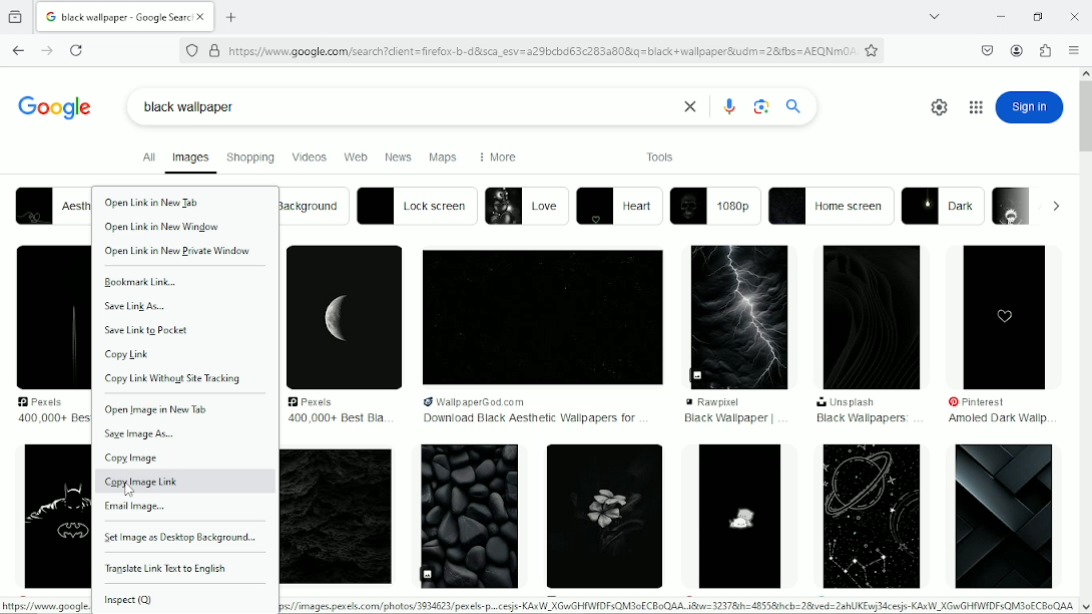 Image resolution: width=1092 pixels, height=614 pixels. I want to click on images, so click(191, 160).